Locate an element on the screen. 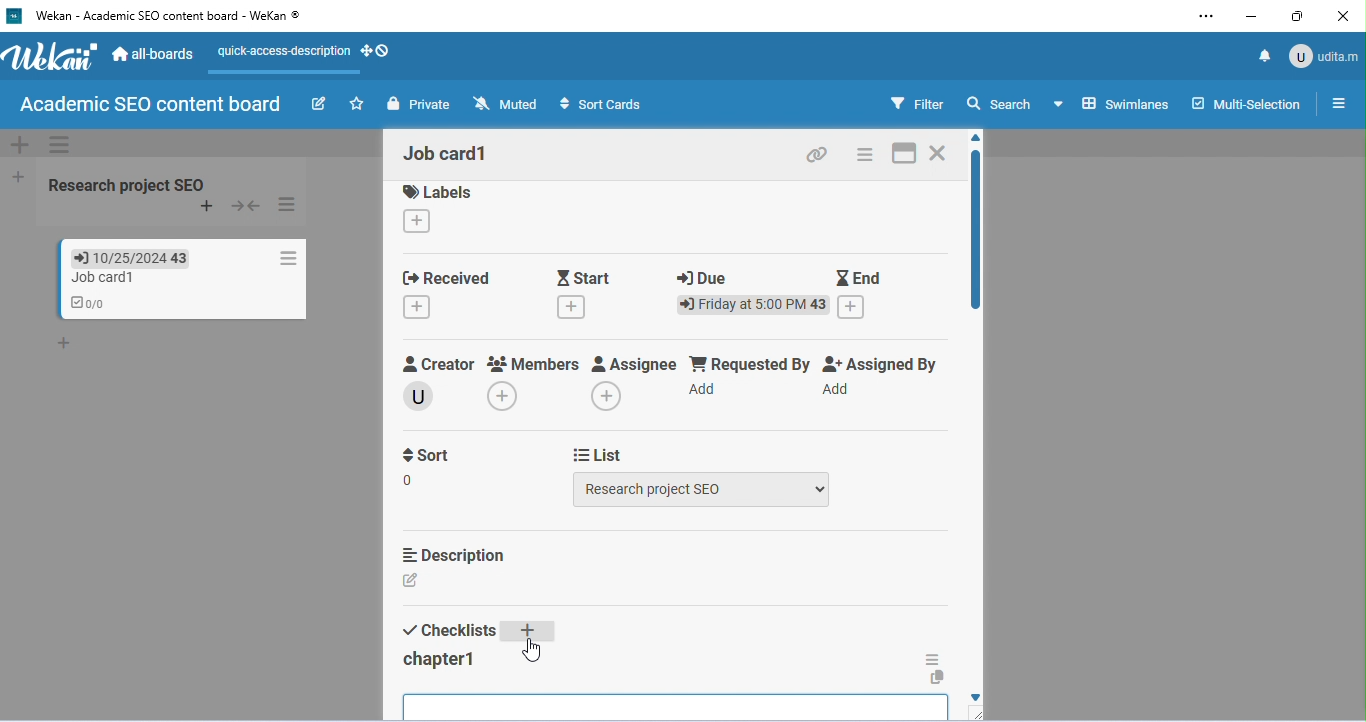 The width and height of the screenshot is (1366, 722). assignee is located at coordinates (635, 366).